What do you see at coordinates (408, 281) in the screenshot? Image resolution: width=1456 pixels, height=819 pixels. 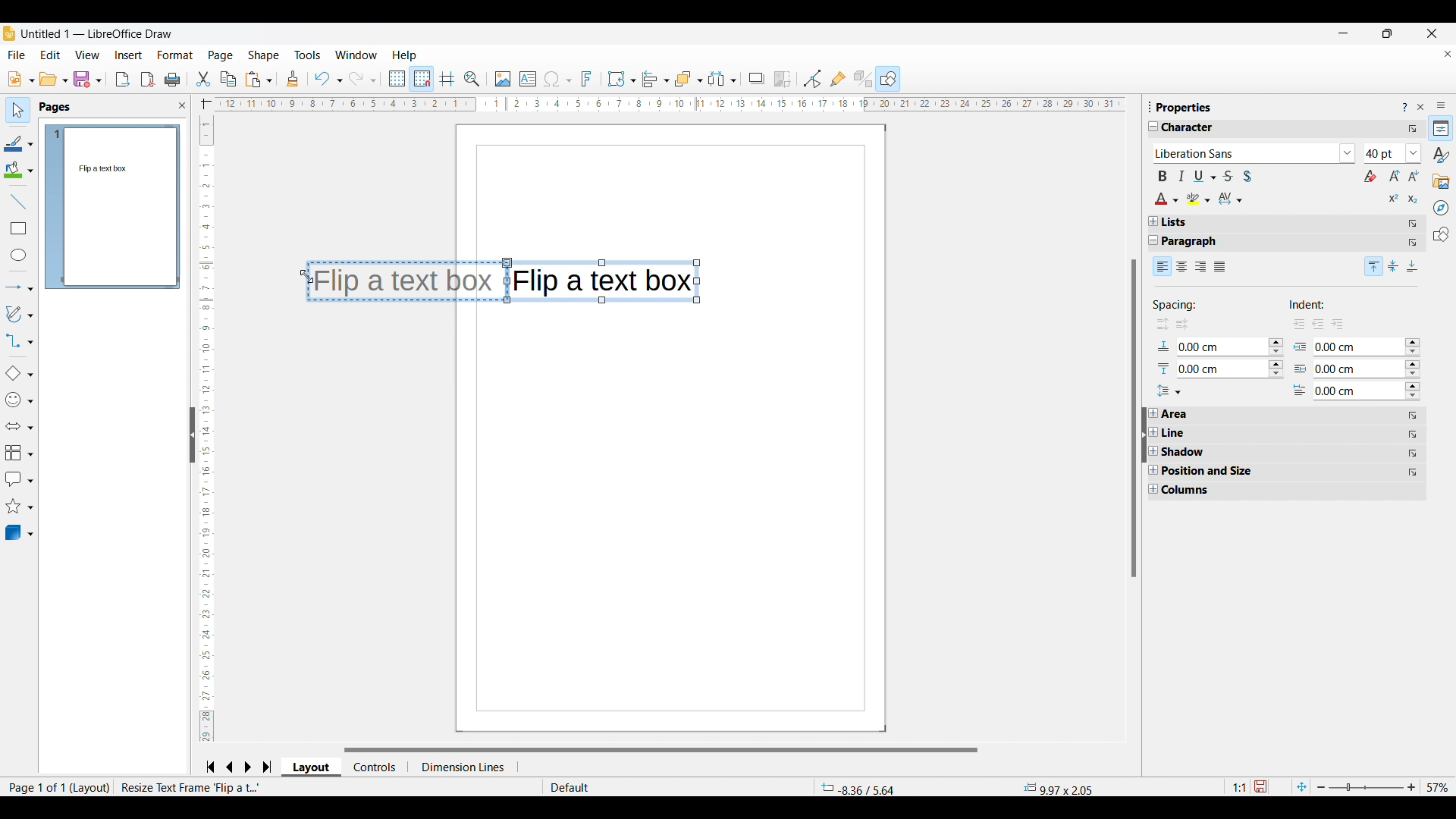 I see `Flip a text box` at bounding box center [408, 281].